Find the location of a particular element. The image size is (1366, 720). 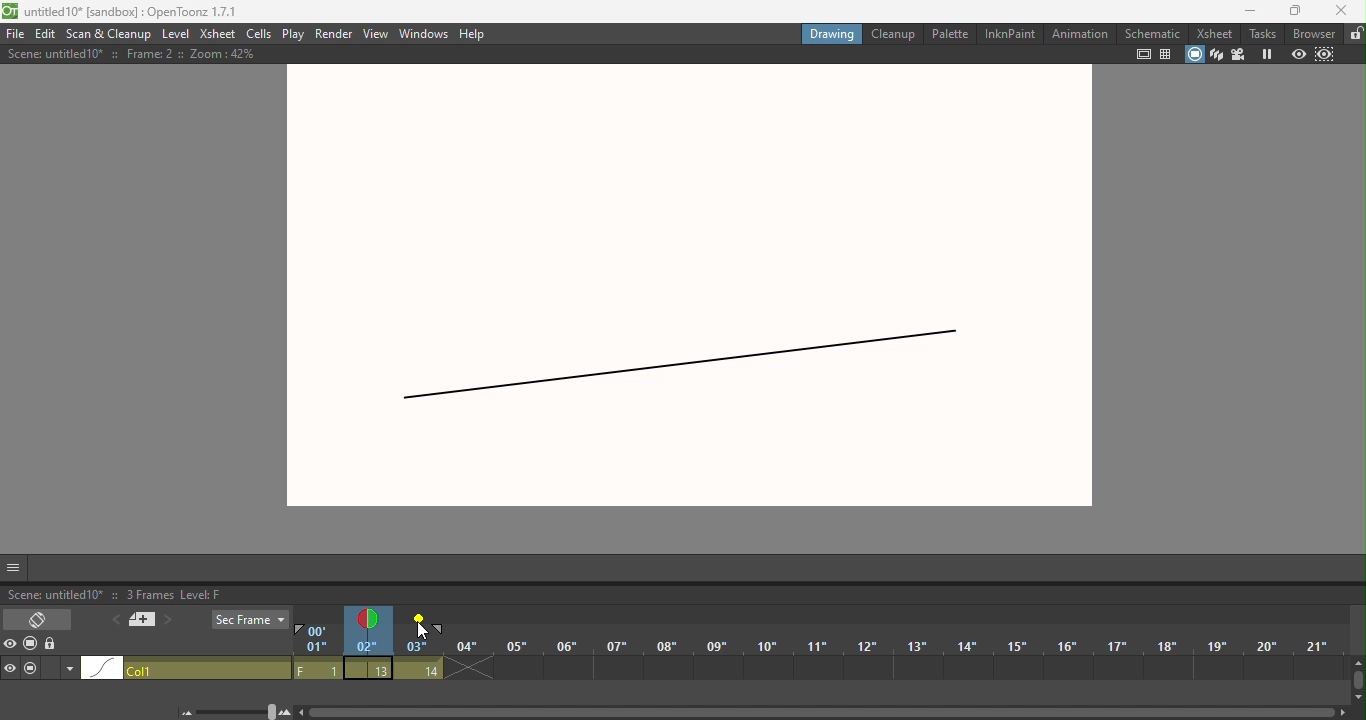

Preview visibility toggle all is located at coordinates (10, 646).